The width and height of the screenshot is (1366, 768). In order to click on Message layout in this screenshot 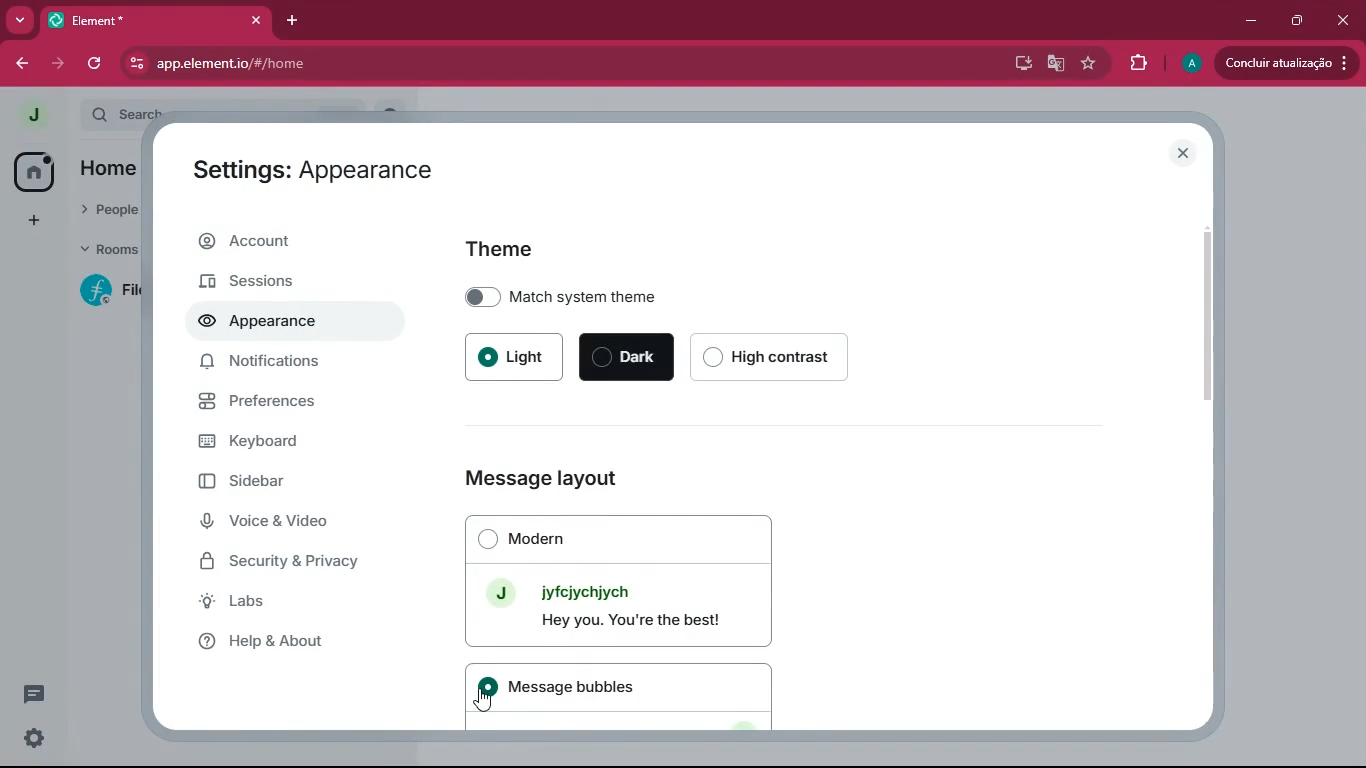, I will do `click(538, 480)`.